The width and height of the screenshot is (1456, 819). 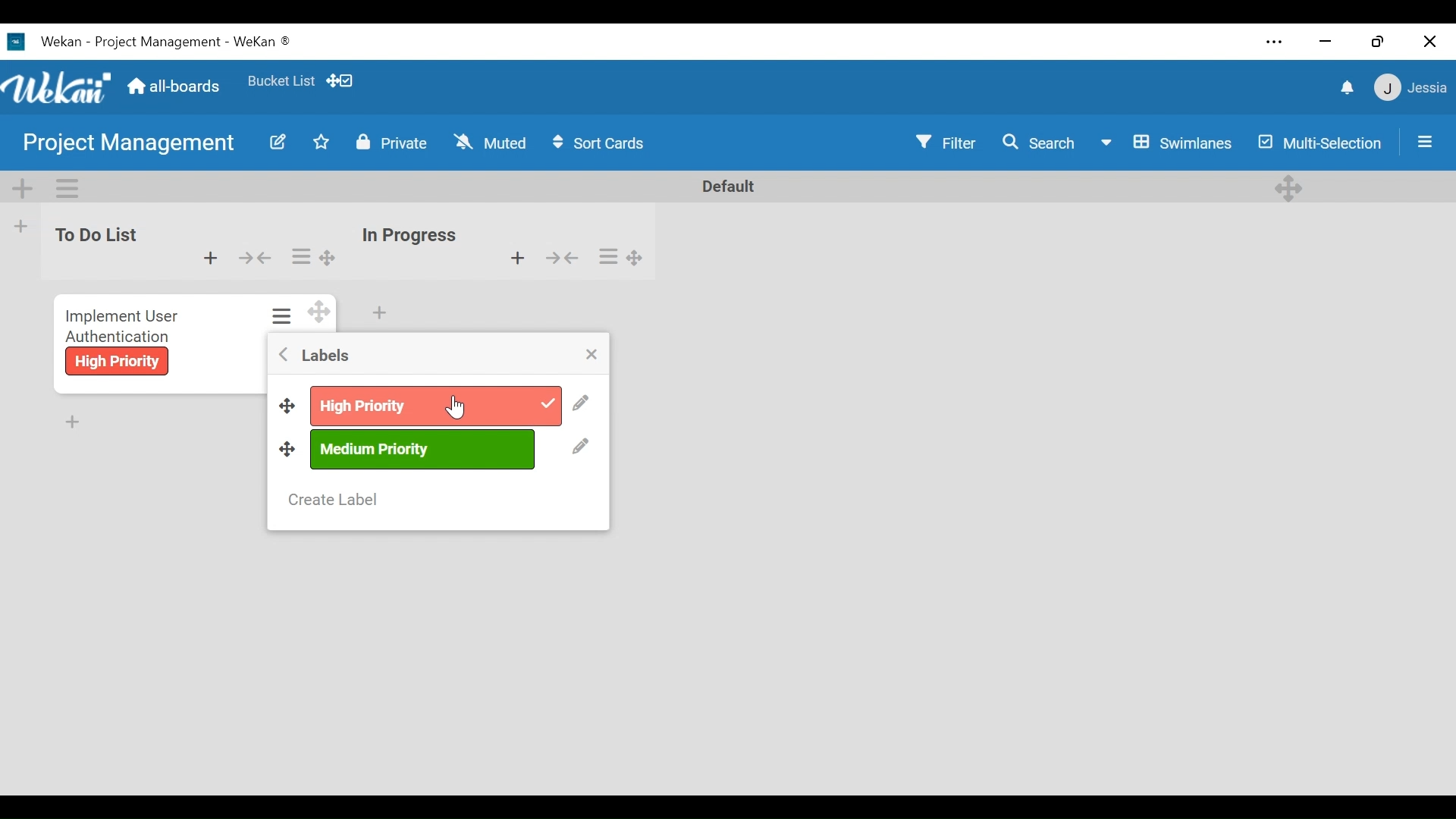 What do you see at coordinates (381, 312) in the screenshot?
I see `add card to the bottom of the list` at bounding box center [381, 312].